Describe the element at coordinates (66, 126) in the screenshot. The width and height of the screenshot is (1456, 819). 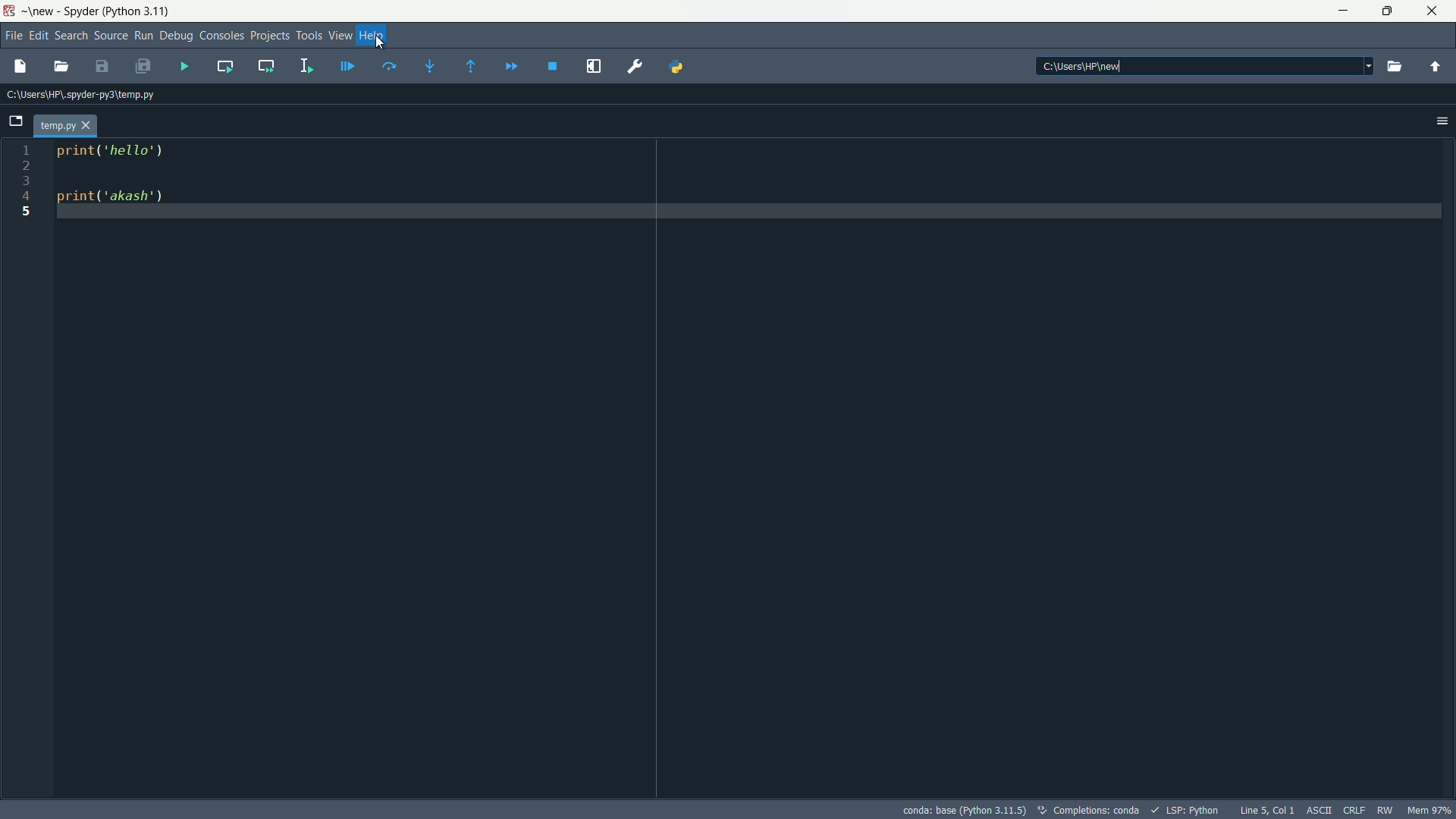
I see `Current tab` at that location.